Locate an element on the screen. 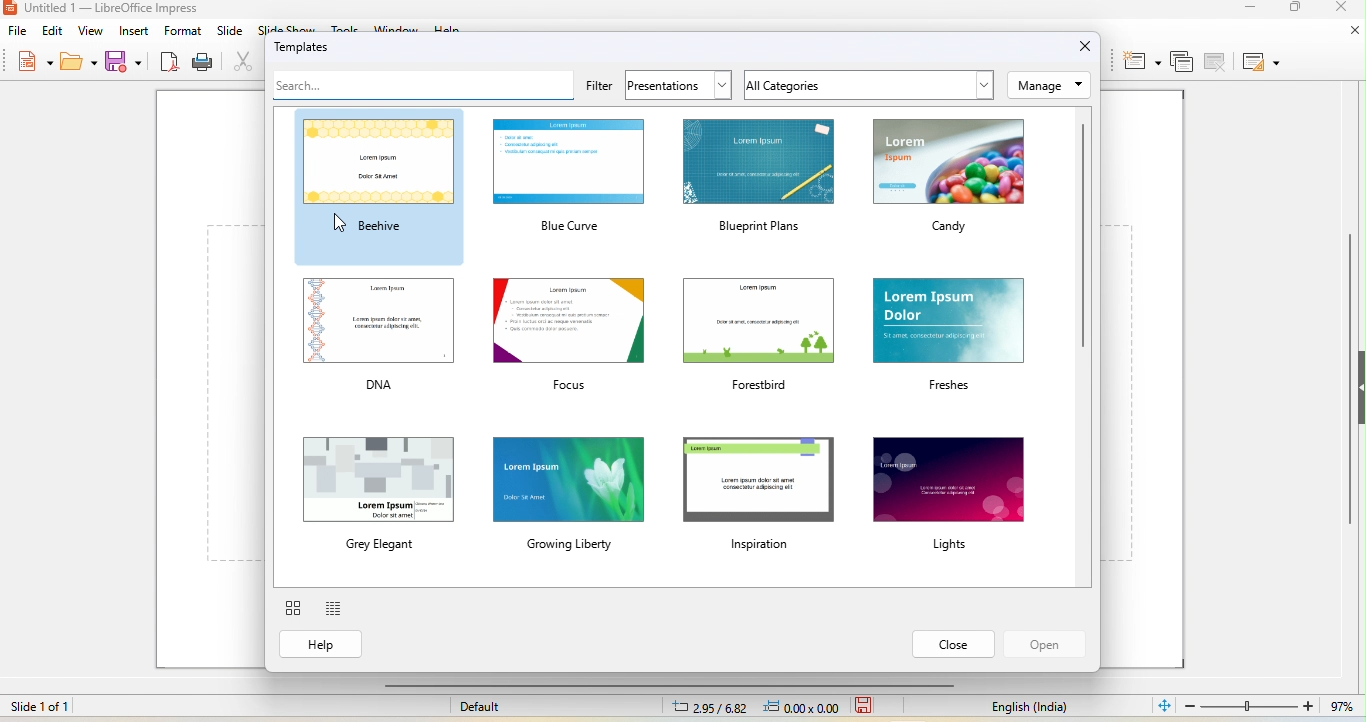  untitled 1-libreoffice impress is located at coordinates (126, 8).